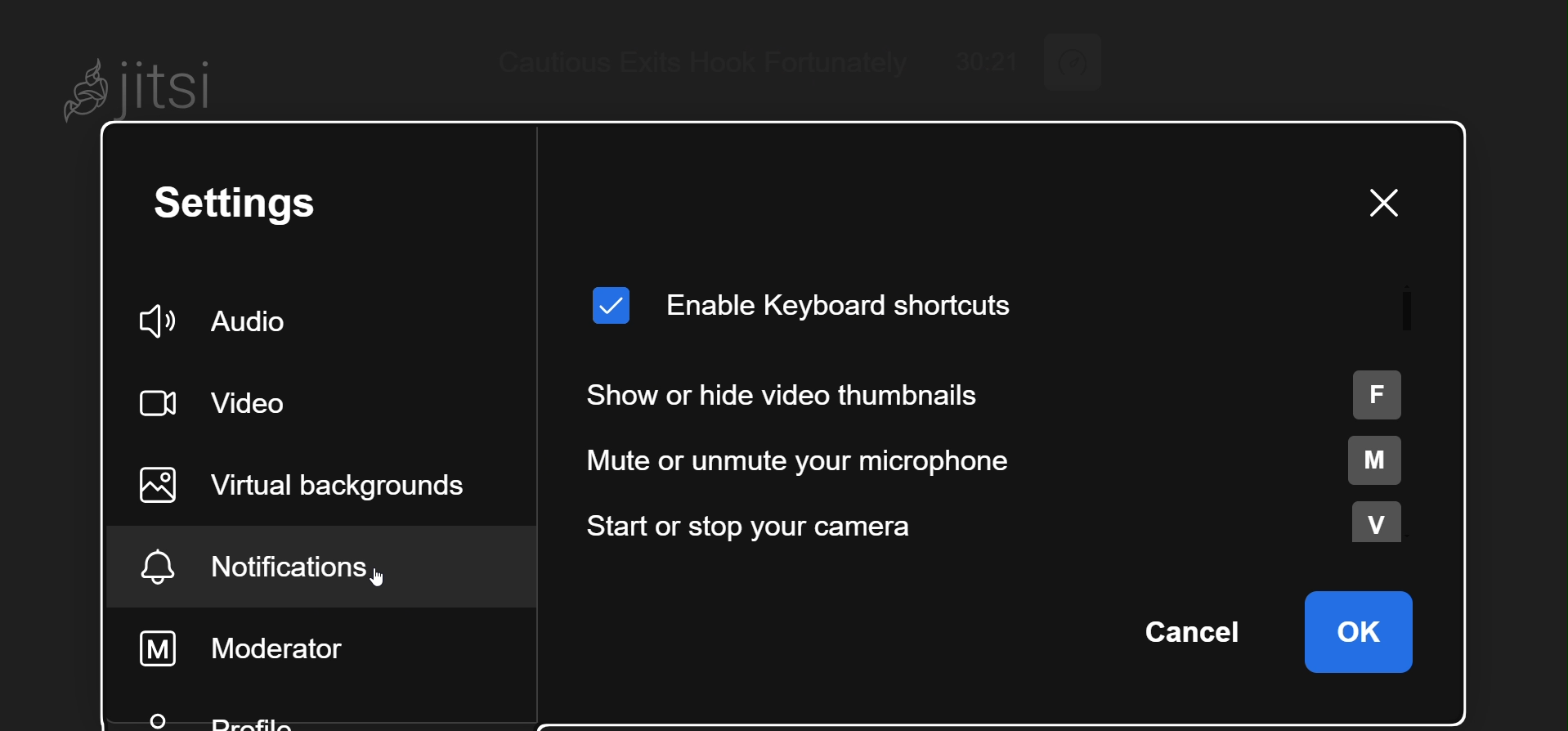  What do you see at coordinates (262, 645) in the screenshot?
I see `moderator` at bounding box center [262, 645].